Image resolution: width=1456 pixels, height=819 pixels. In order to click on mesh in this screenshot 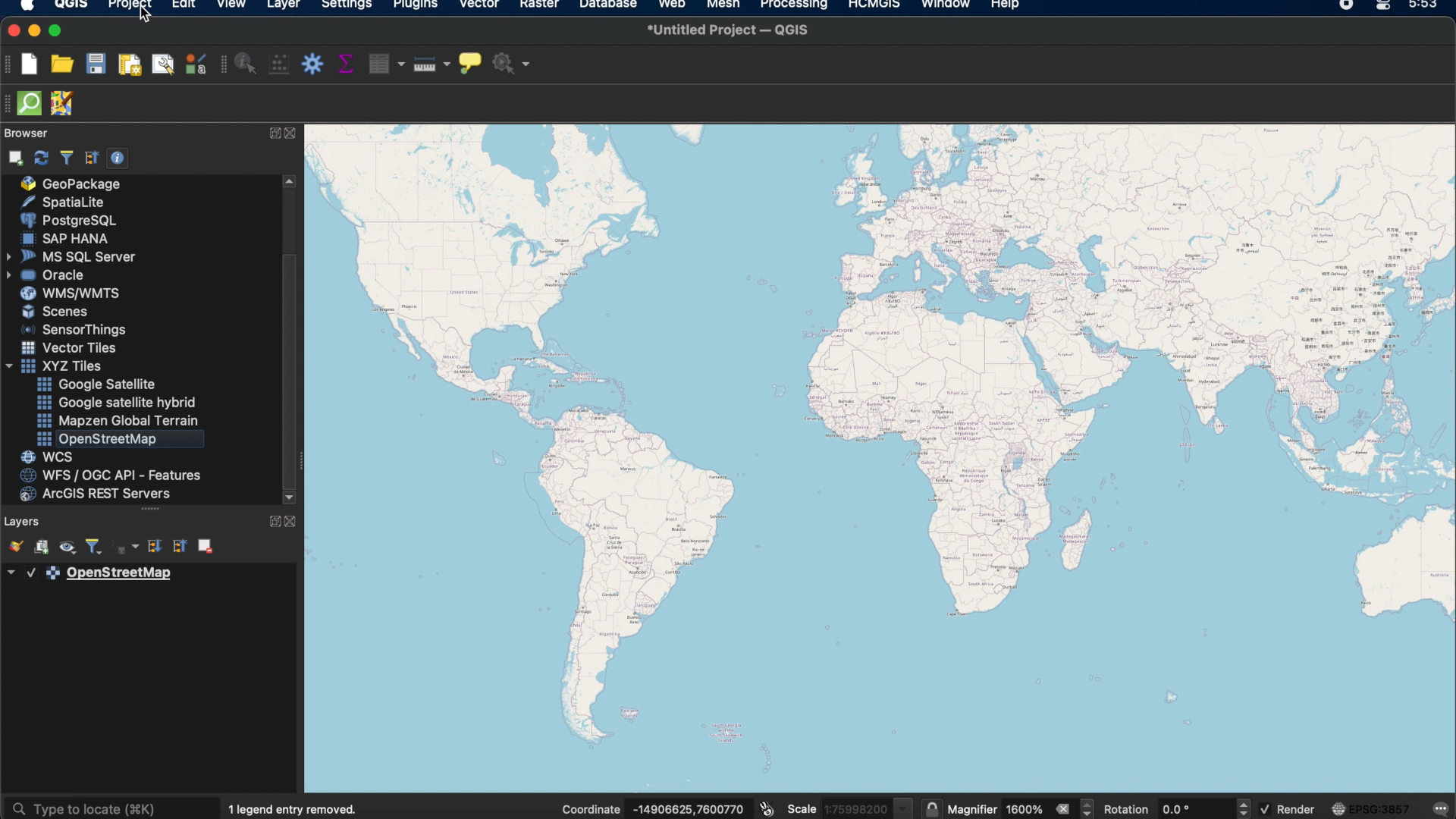, I will do `click(726, 6)`.